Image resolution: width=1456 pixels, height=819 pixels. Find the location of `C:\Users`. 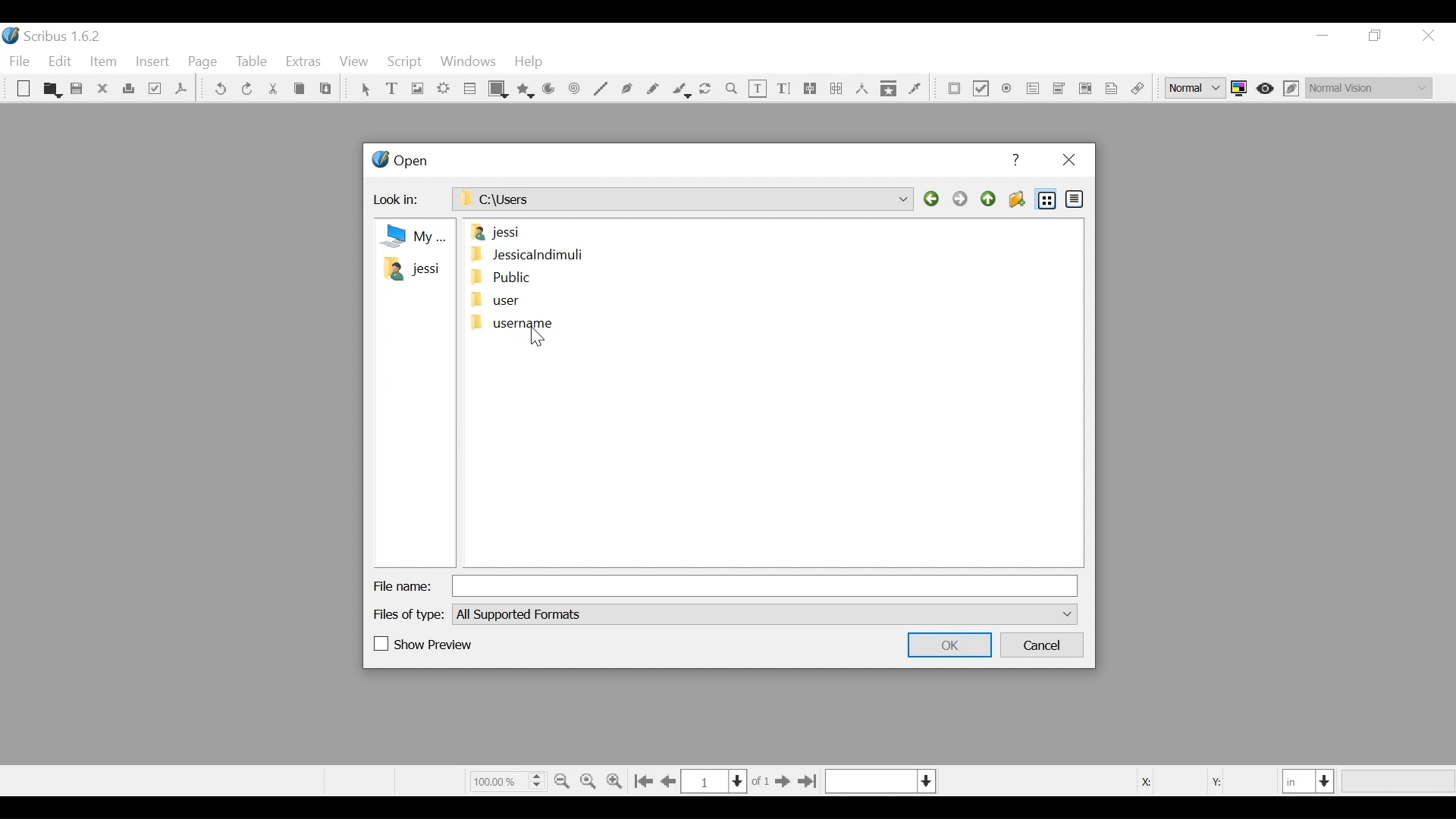

C:\Users is located at coordinates (682, 199).